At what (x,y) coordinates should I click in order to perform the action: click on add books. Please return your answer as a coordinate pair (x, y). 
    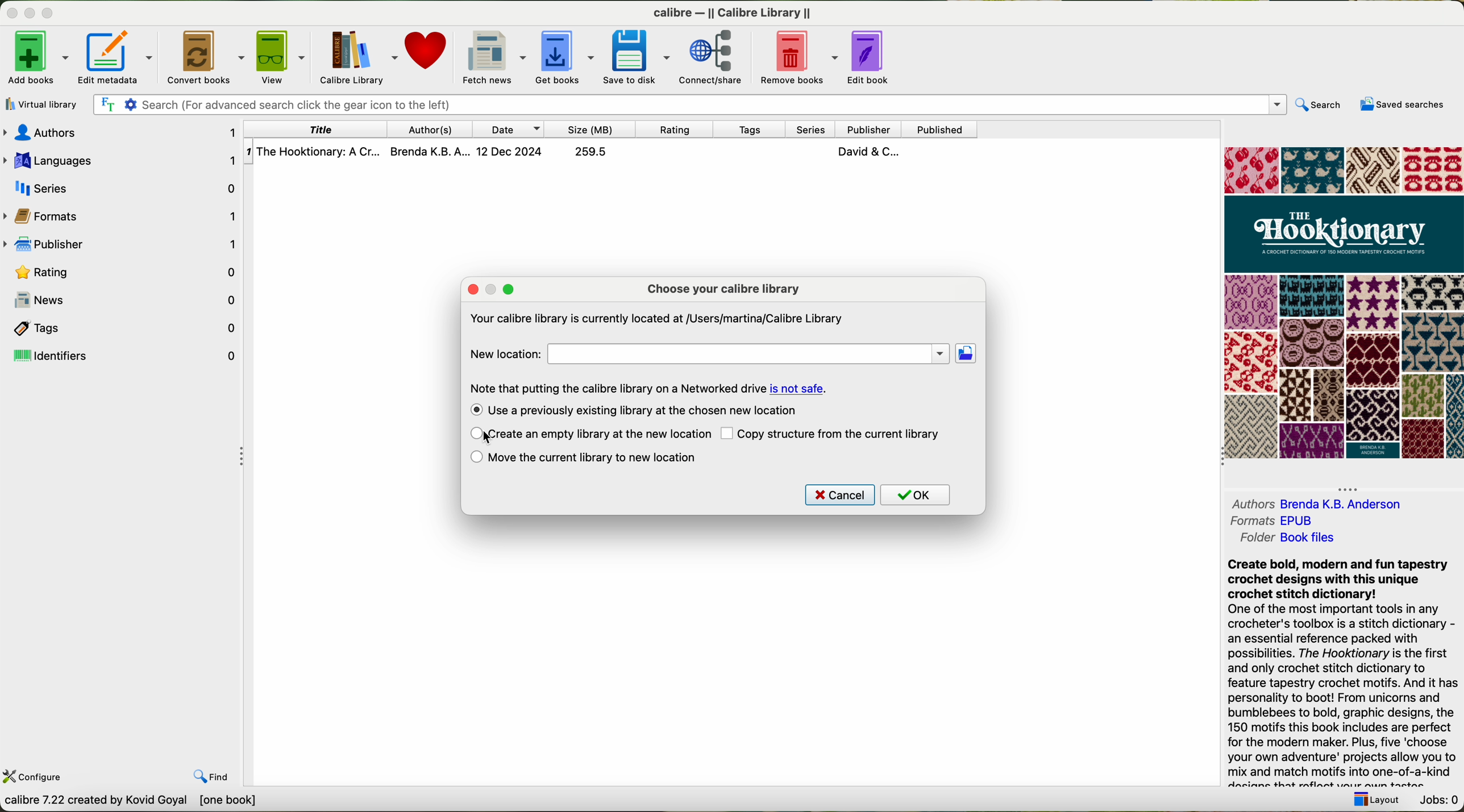
    Looking at the image, I should click on (36, 59).